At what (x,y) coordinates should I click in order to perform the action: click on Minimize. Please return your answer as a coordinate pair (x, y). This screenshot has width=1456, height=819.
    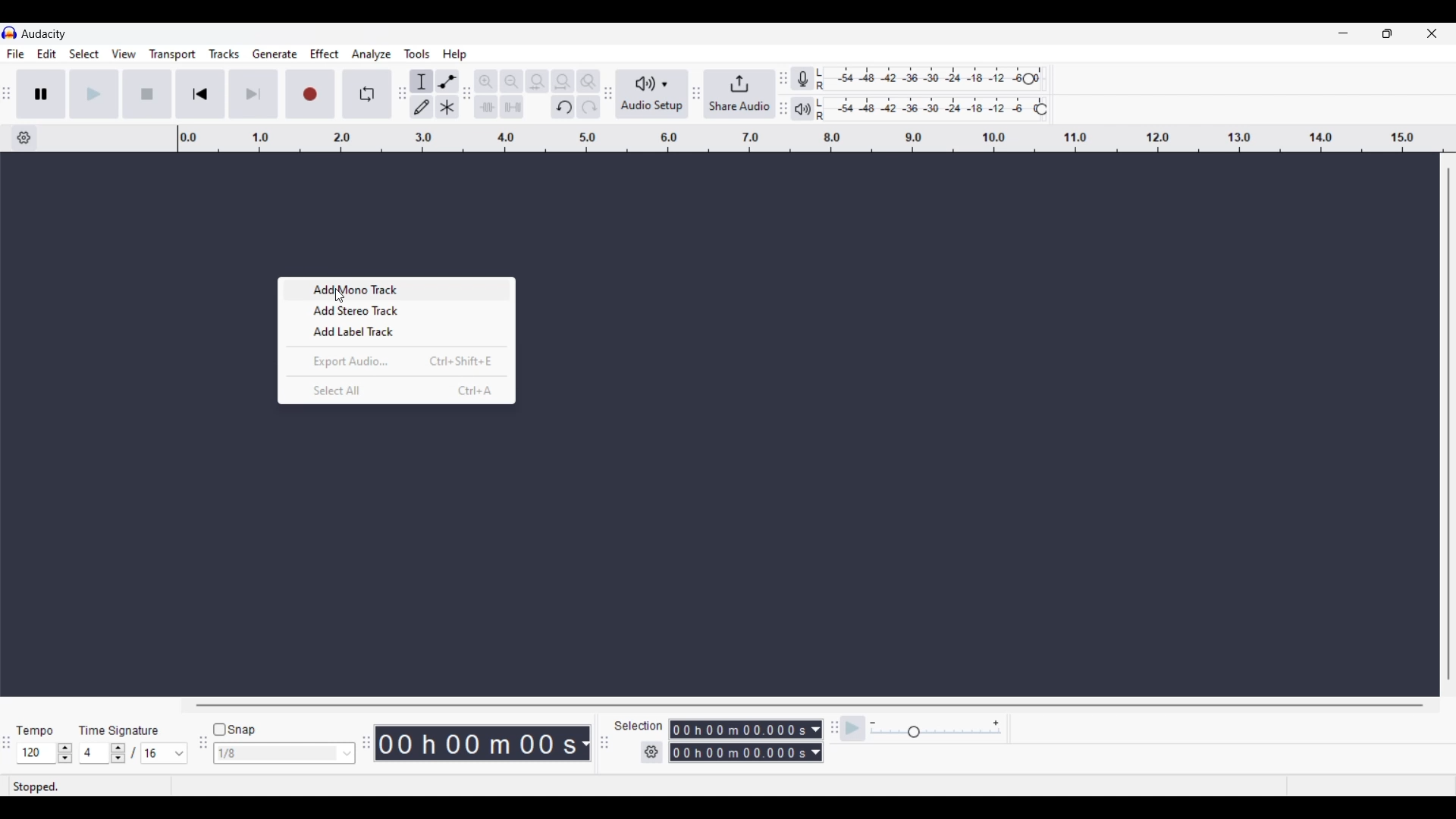
    Looking at the image, I should click on (1343, 33).